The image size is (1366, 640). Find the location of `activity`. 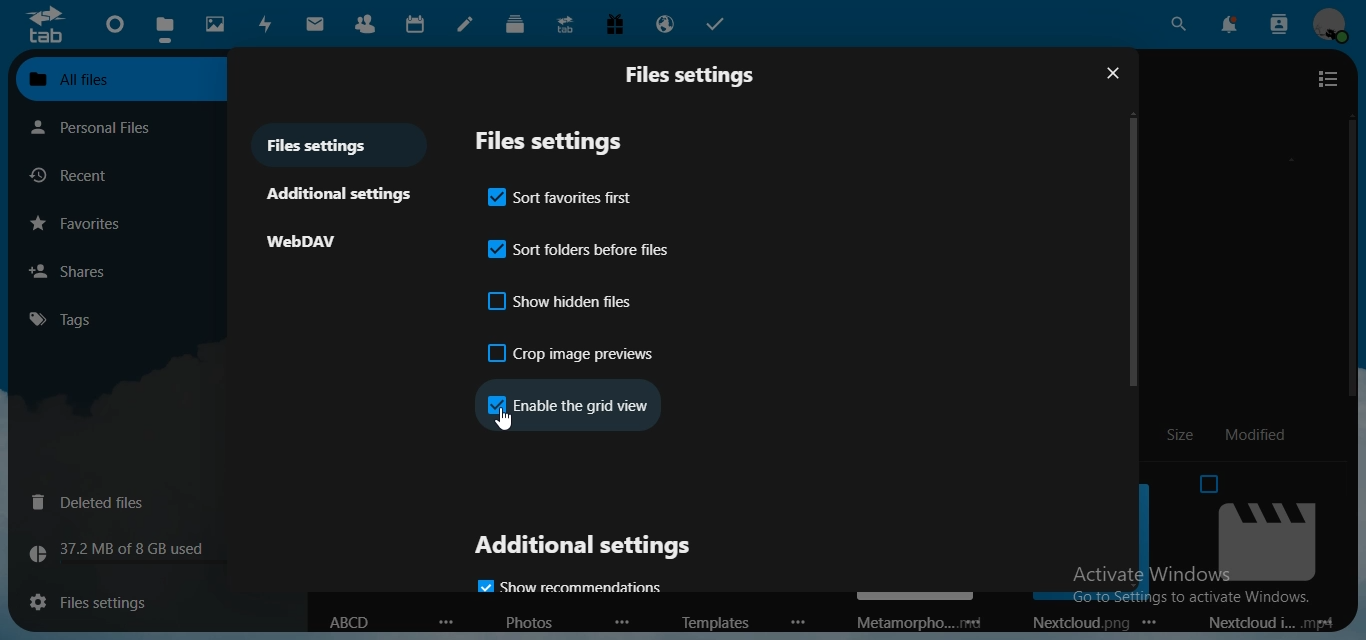

activity is located at coordinates (264, 24).